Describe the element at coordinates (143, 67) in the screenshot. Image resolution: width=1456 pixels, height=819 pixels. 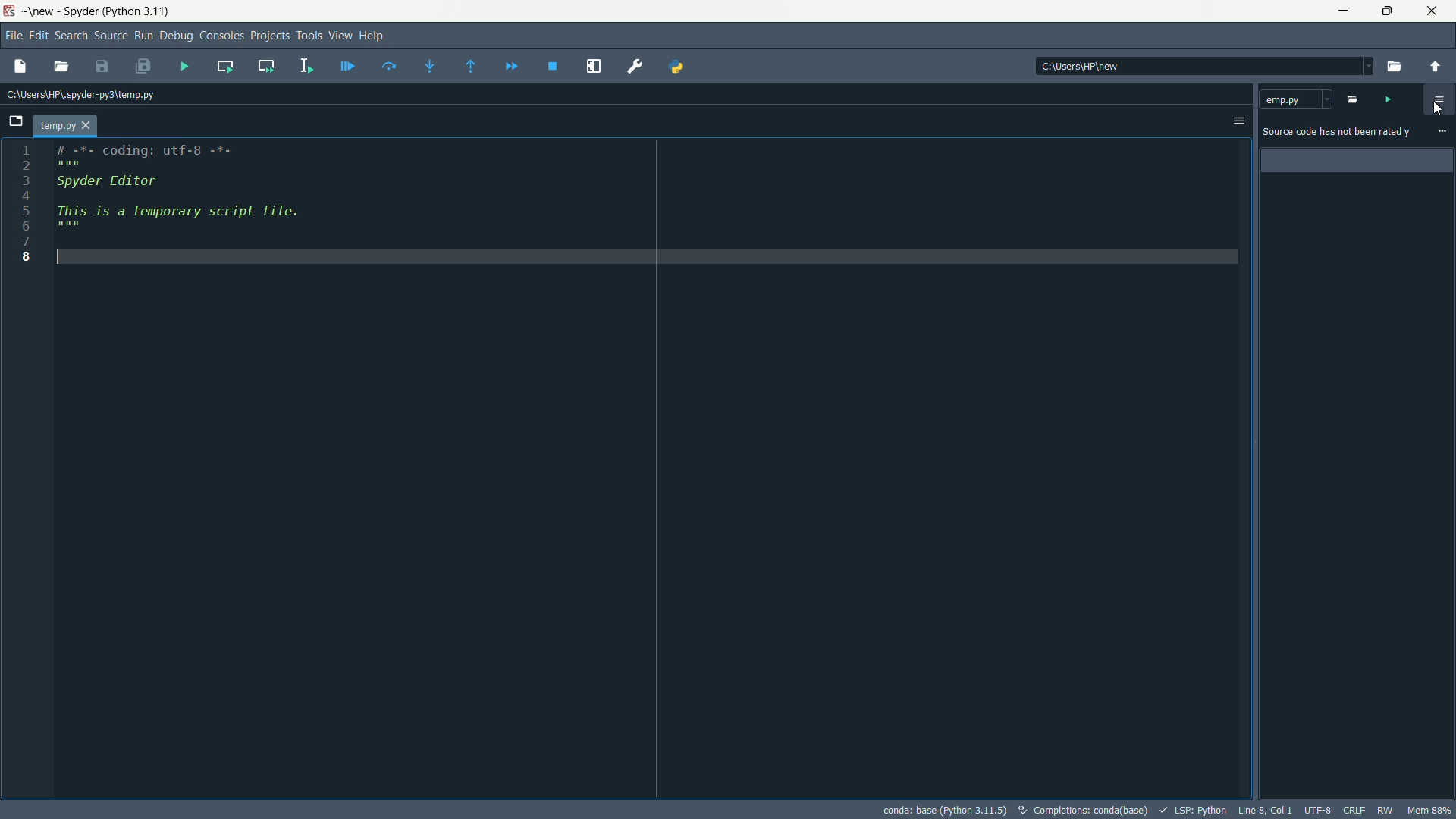
I see `save all files` at that location.